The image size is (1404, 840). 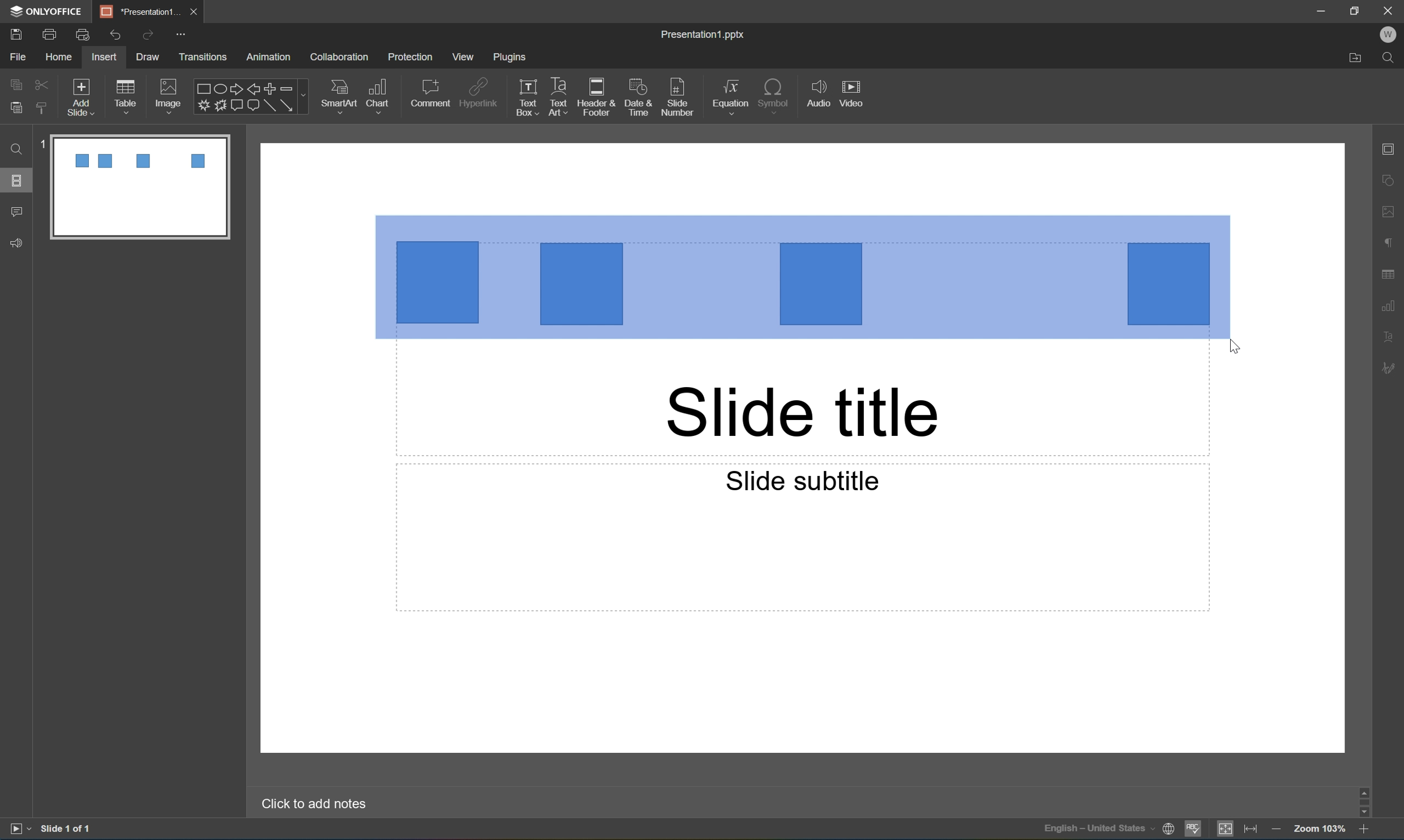 I want to click on copy, so click(x=15, y=83).